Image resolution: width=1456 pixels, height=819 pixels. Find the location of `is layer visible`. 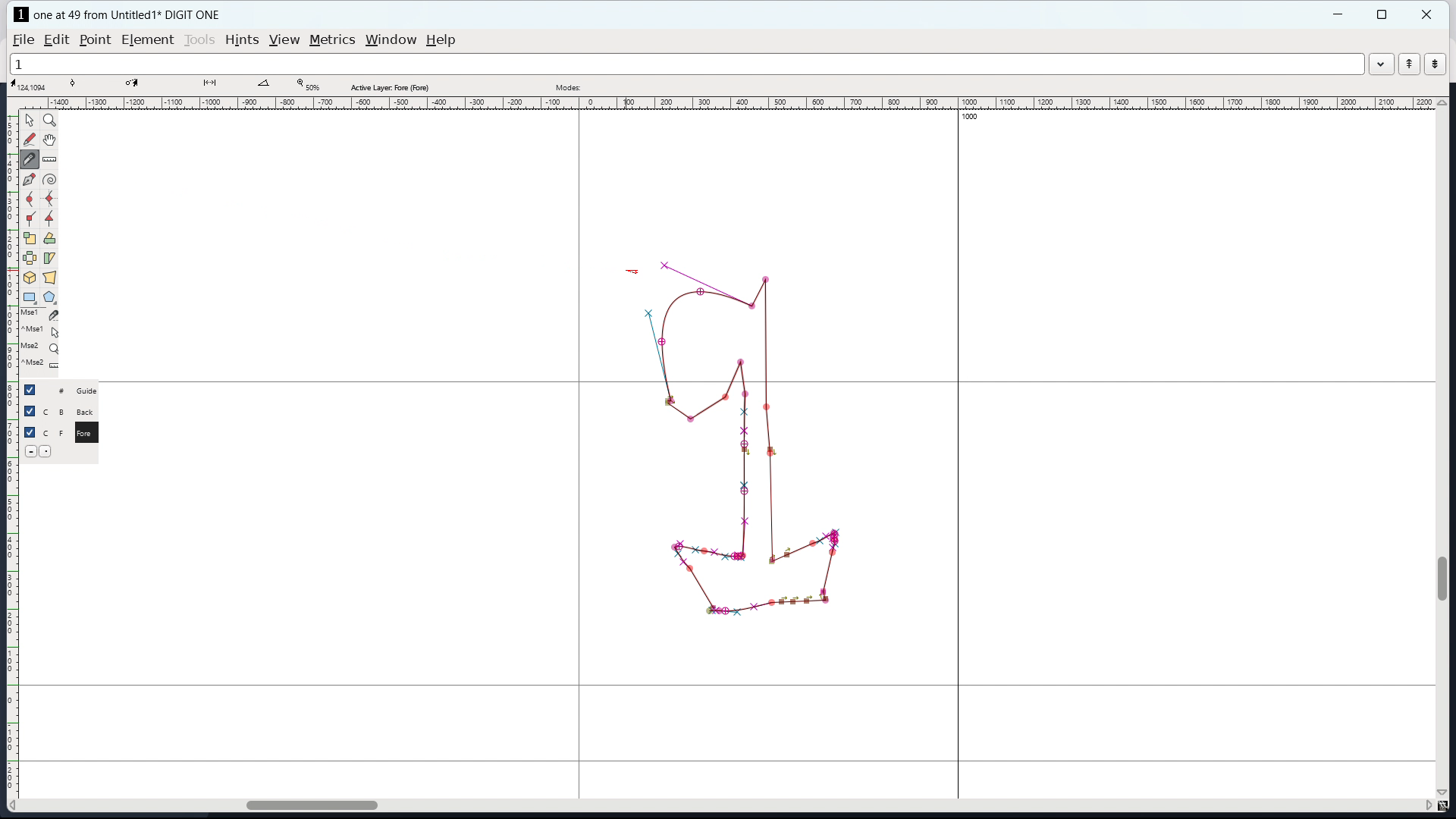

is layer visible is located at coordinates (30, 390).